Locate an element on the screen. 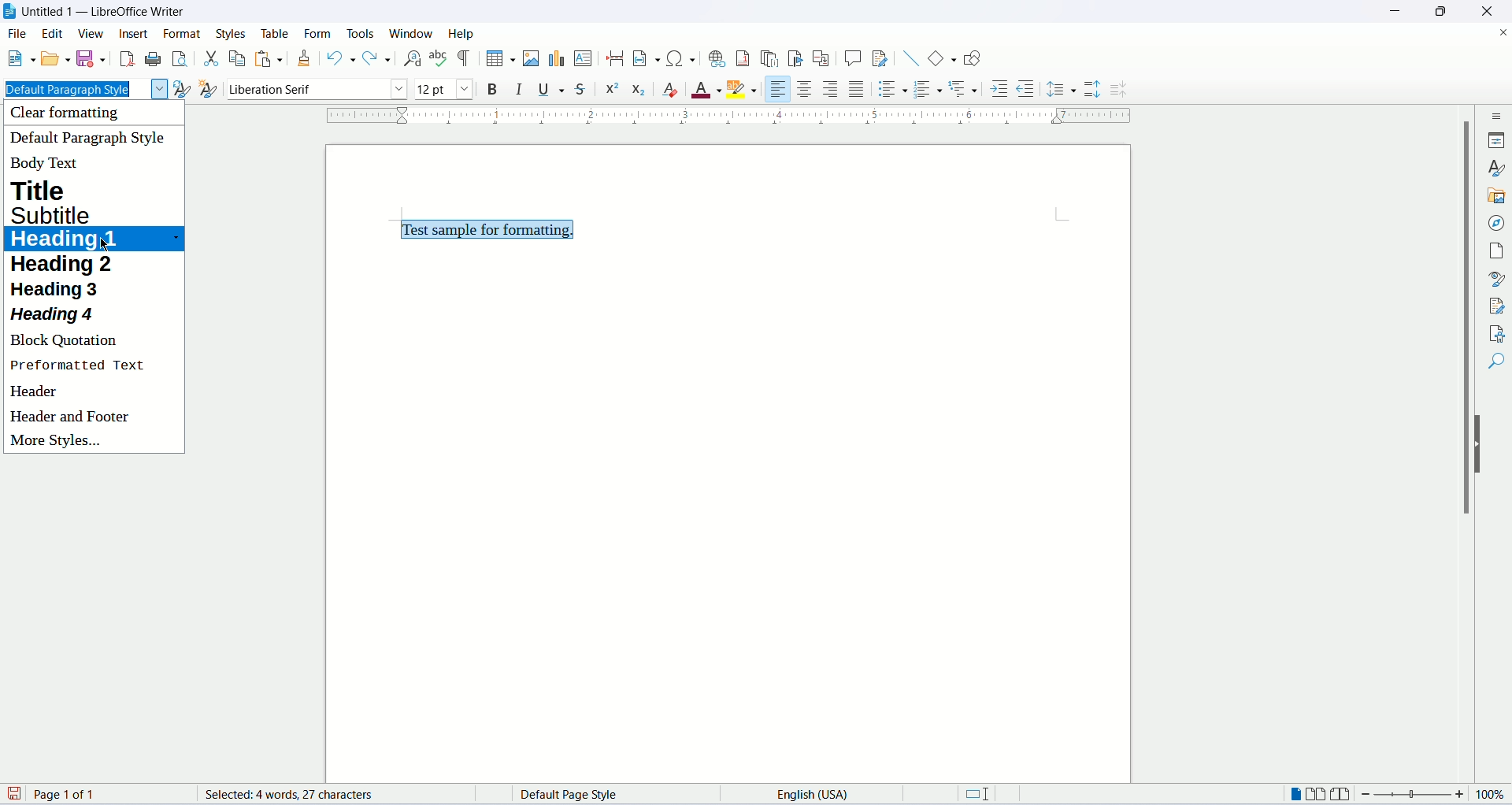 The image size is (1512, 805). print preview is located at coordinates (180, 57).